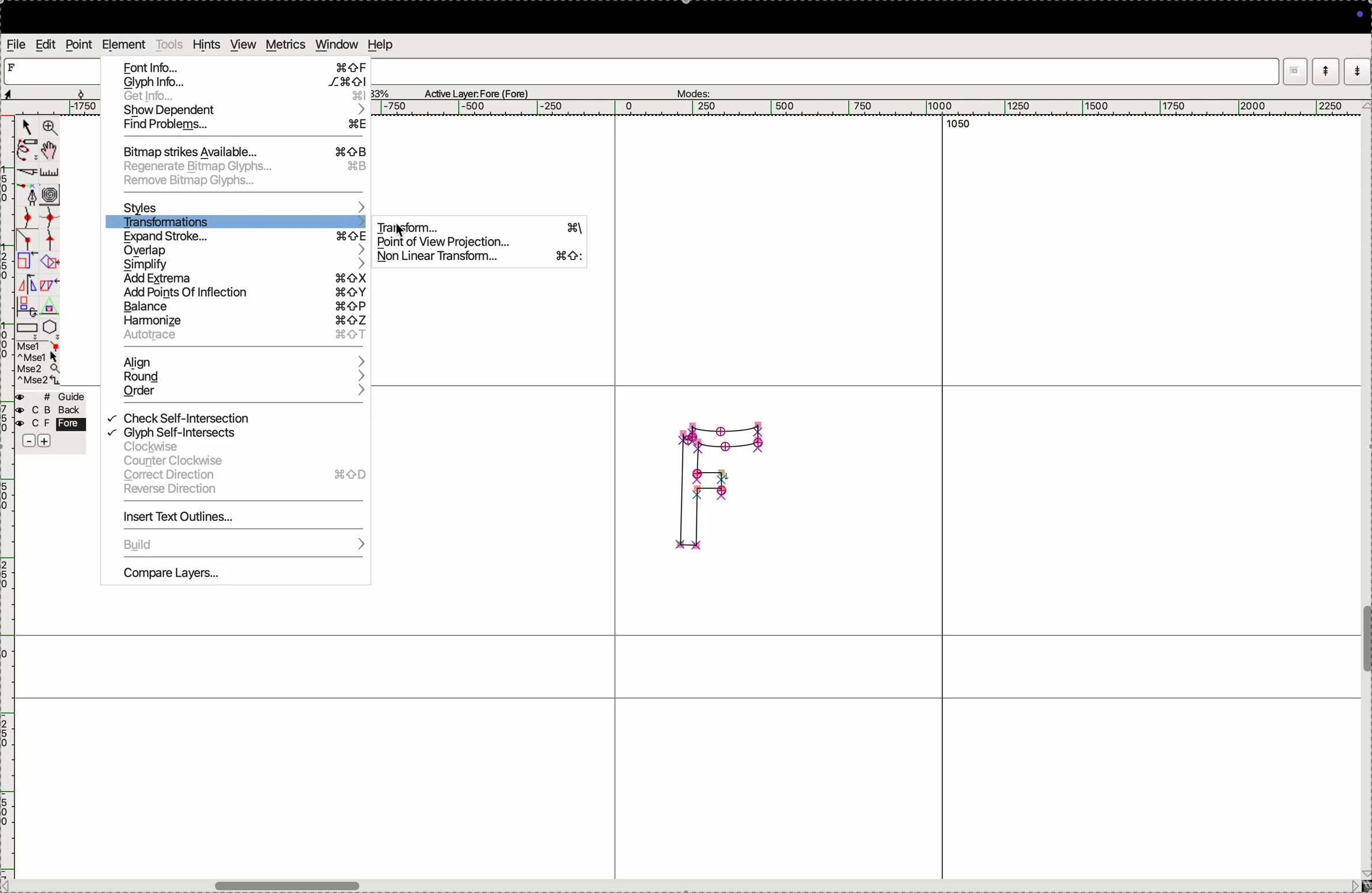  What do you see at coordinates (239, 307) in the screenshot?
I see `balance` at bounding box center [239, 307].